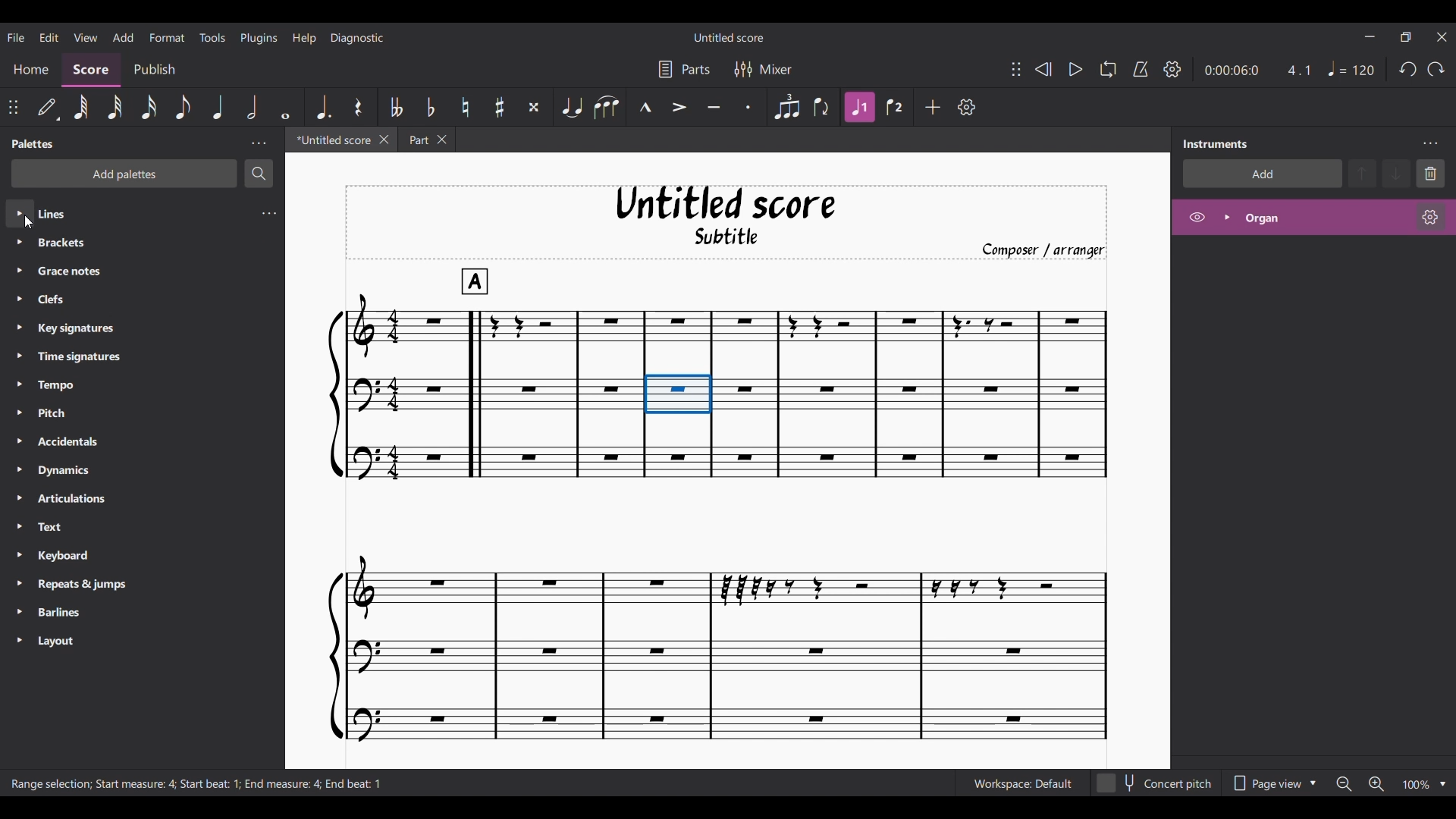  I want to click on Quarter note, so click(217, 106).